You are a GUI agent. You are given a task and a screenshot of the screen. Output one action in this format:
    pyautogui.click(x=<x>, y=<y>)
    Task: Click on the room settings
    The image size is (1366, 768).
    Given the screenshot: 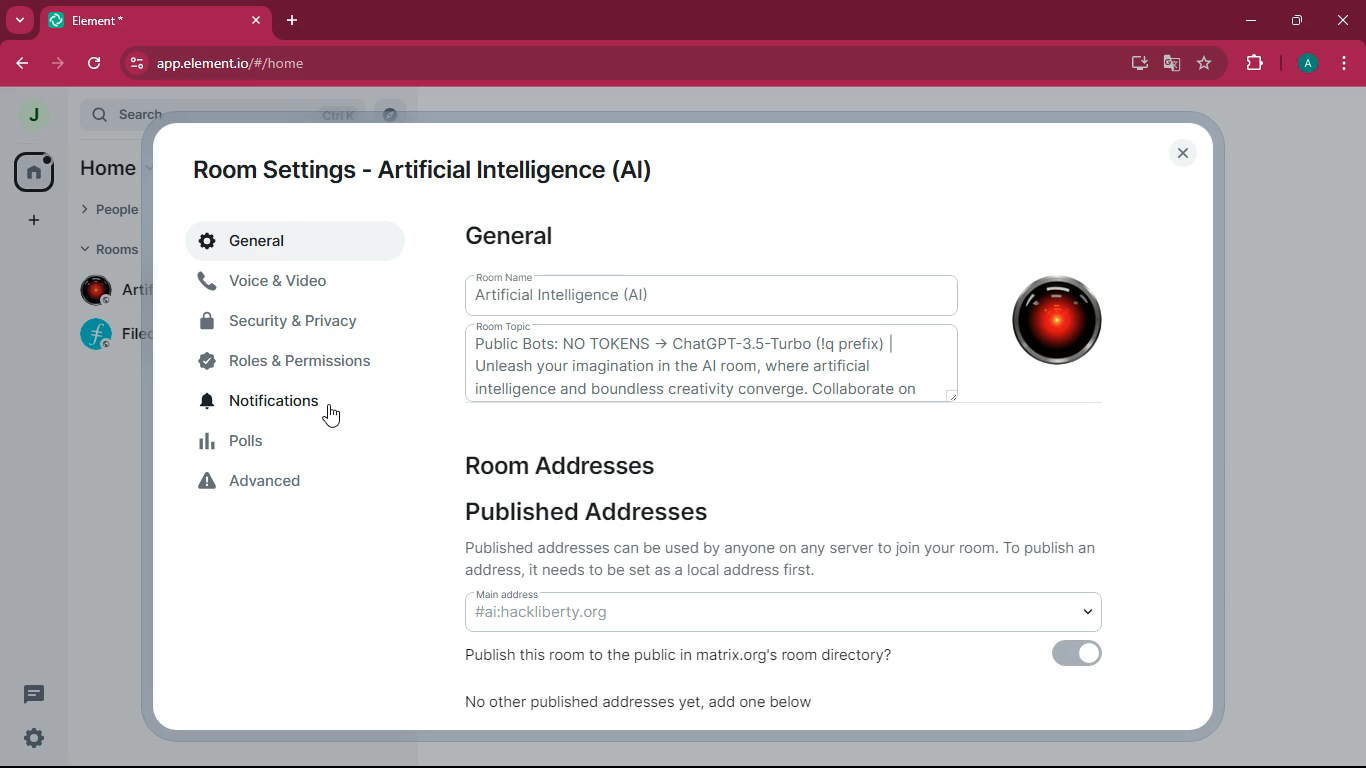 What is the action you would take?
    pyautogui.click(x=433, y=166)
    